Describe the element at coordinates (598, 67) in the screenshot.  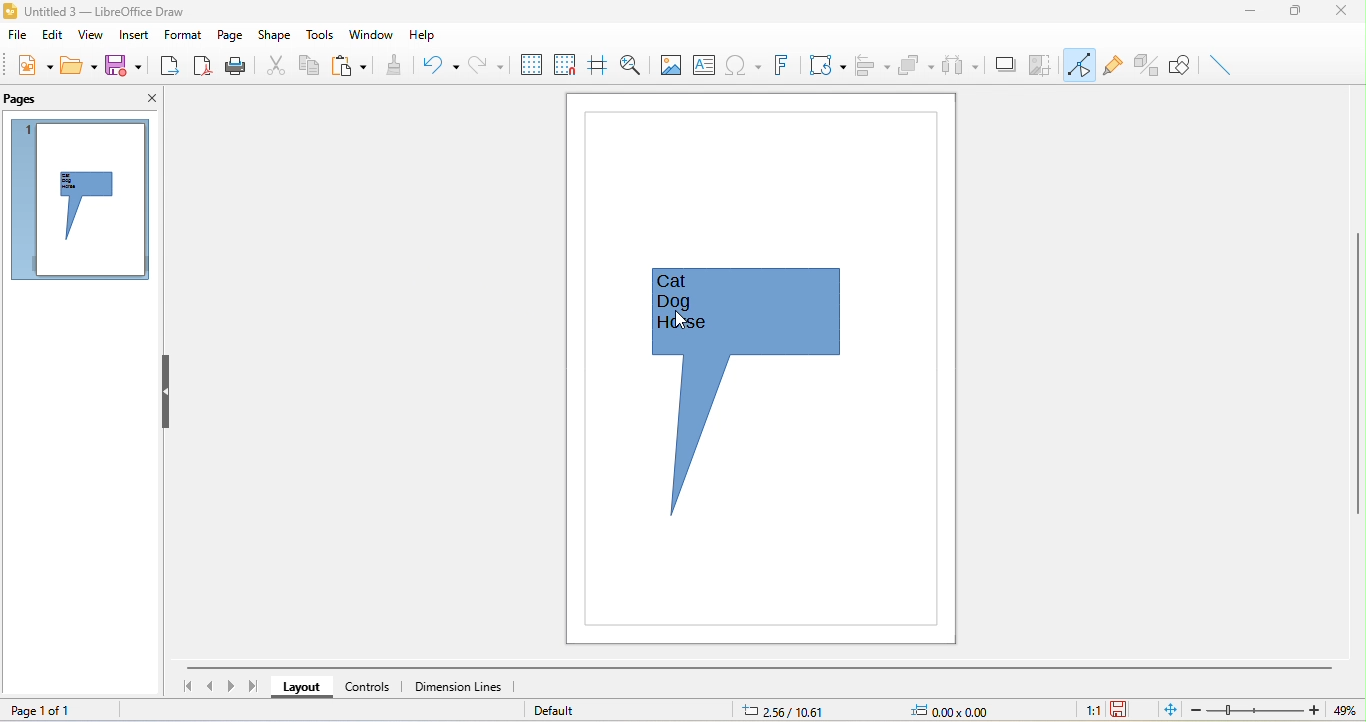
I see `helpline while moving` at that location.